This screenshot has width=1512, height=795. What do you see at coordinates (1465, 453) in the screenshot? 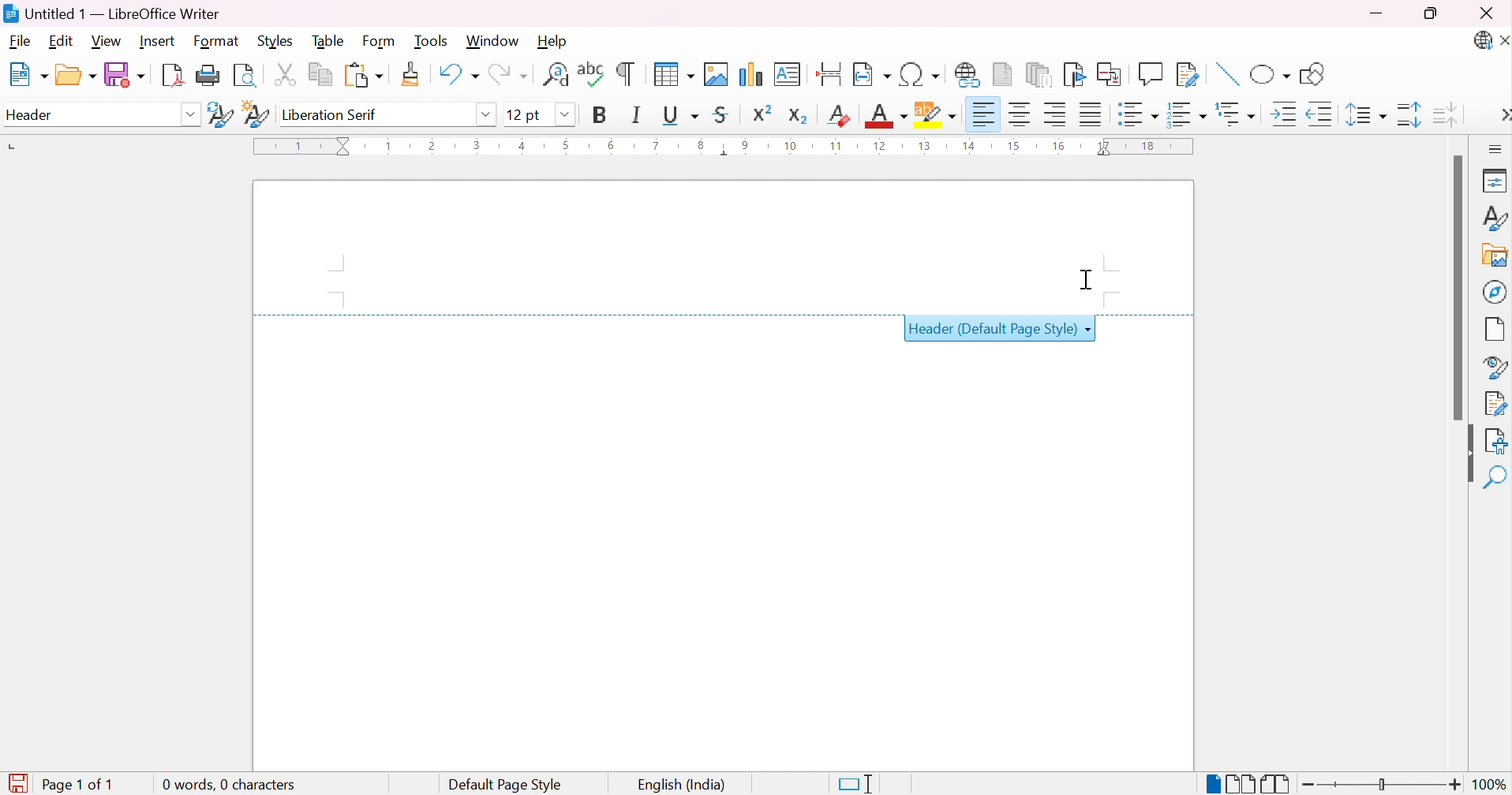
I see `Hide` at bounding box center [1465, 453].